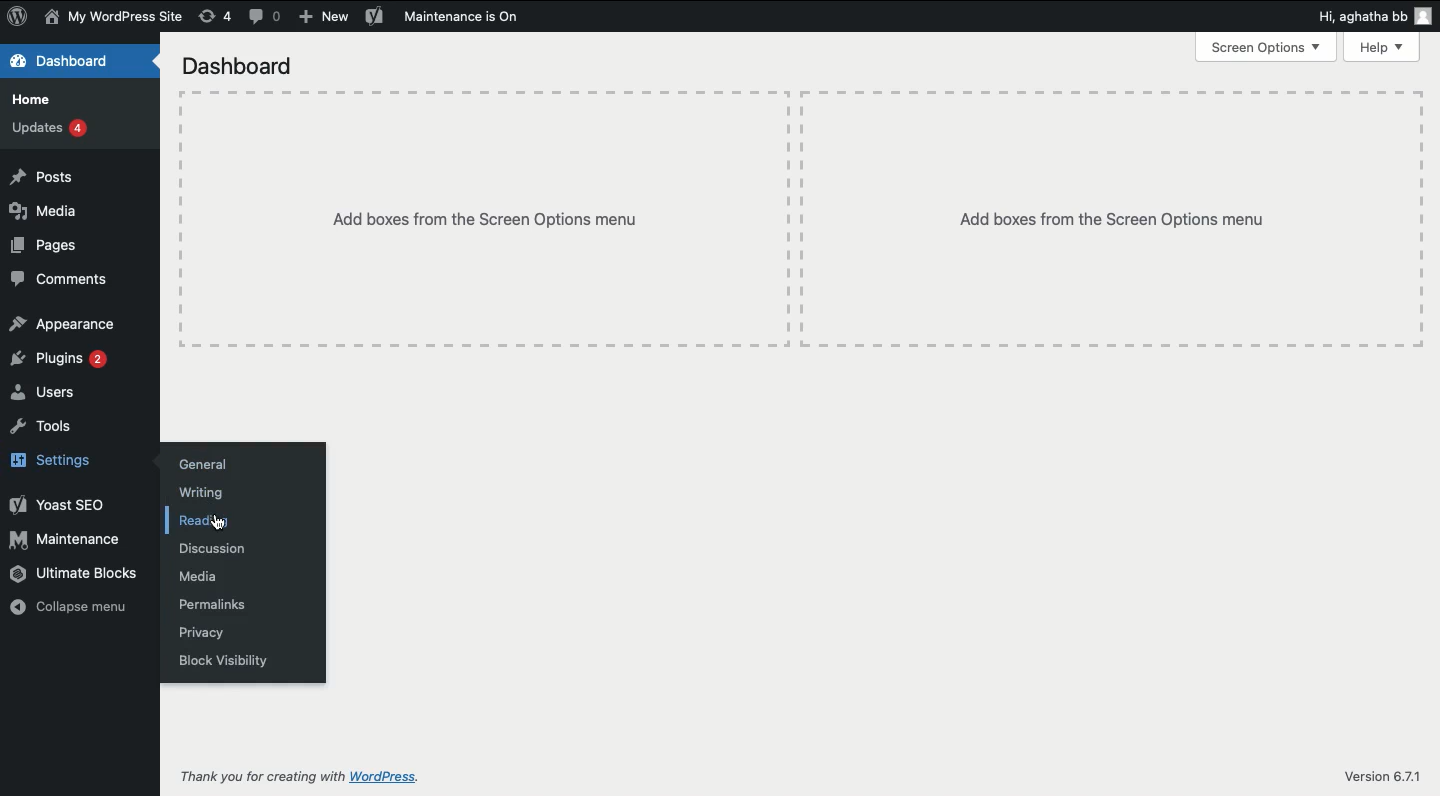 The image size is (1440, 796). I want to click on my wordpress site, so click(115, 18).